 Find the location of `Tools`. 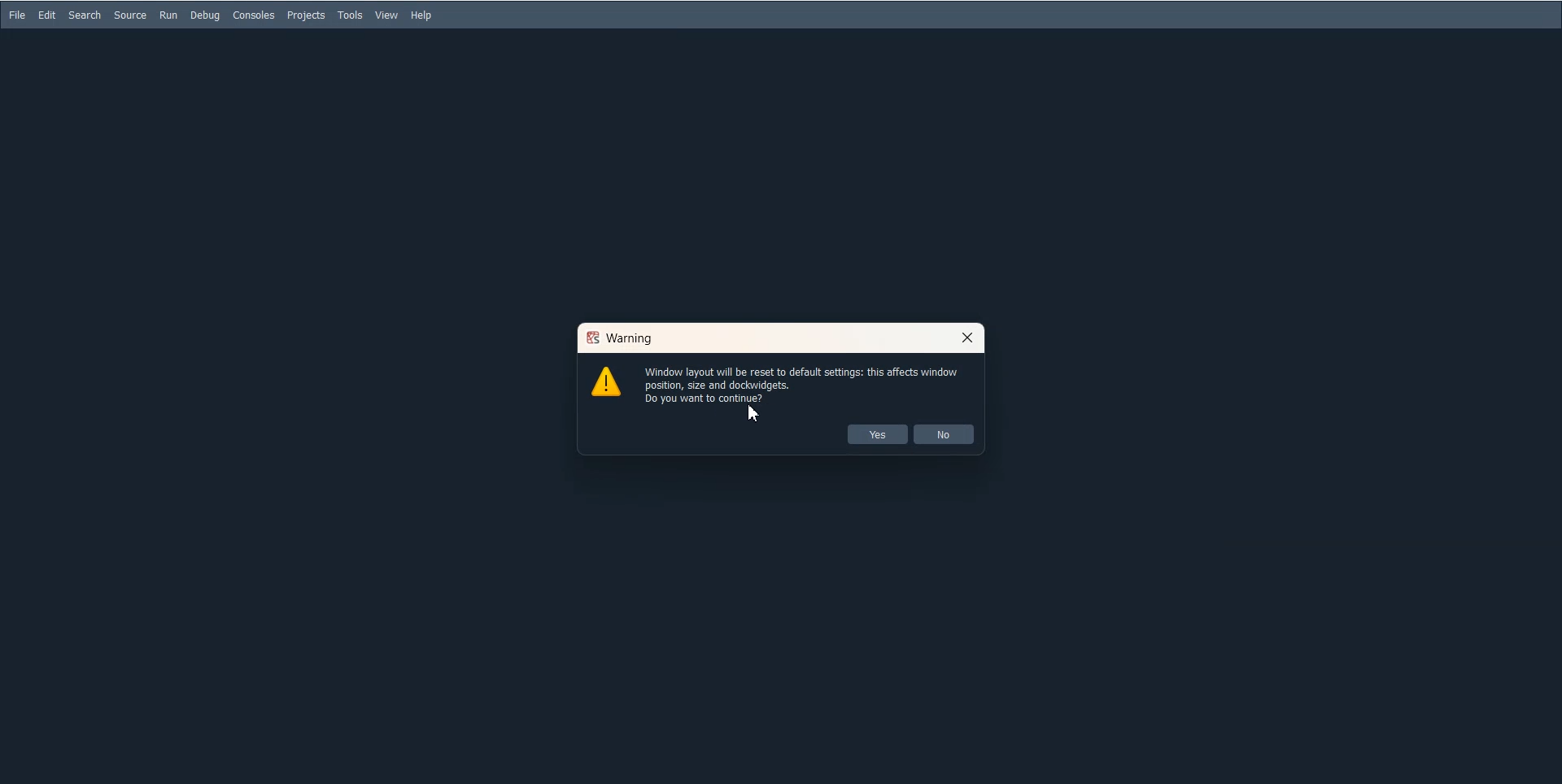

Tools is located at coordinates (351, 15).